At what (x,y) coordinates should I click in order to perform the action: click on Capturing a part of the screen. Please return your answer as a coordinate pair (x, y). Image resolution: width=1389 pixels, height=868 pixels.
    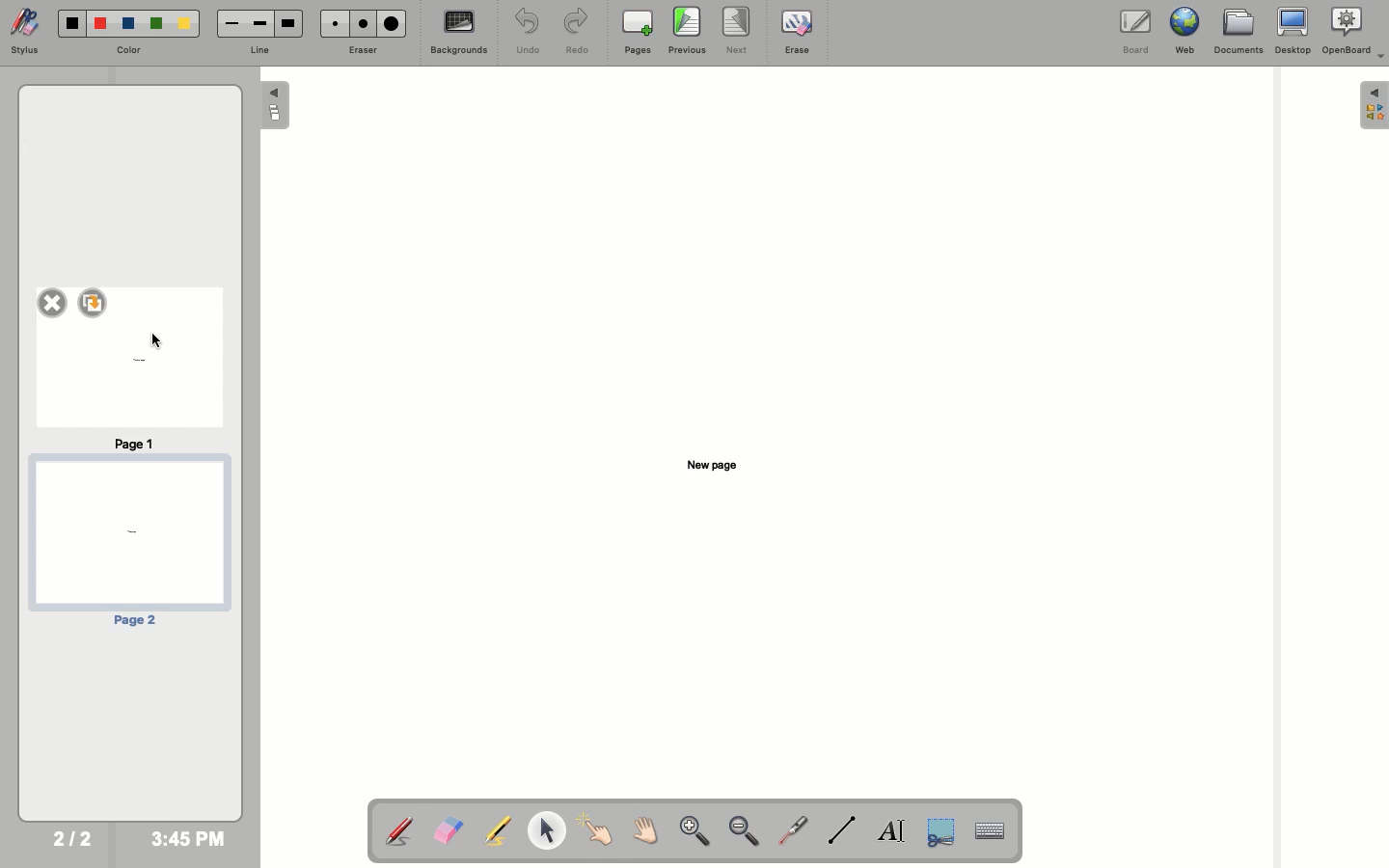
    Looking at the image, I should click on (943, 830).